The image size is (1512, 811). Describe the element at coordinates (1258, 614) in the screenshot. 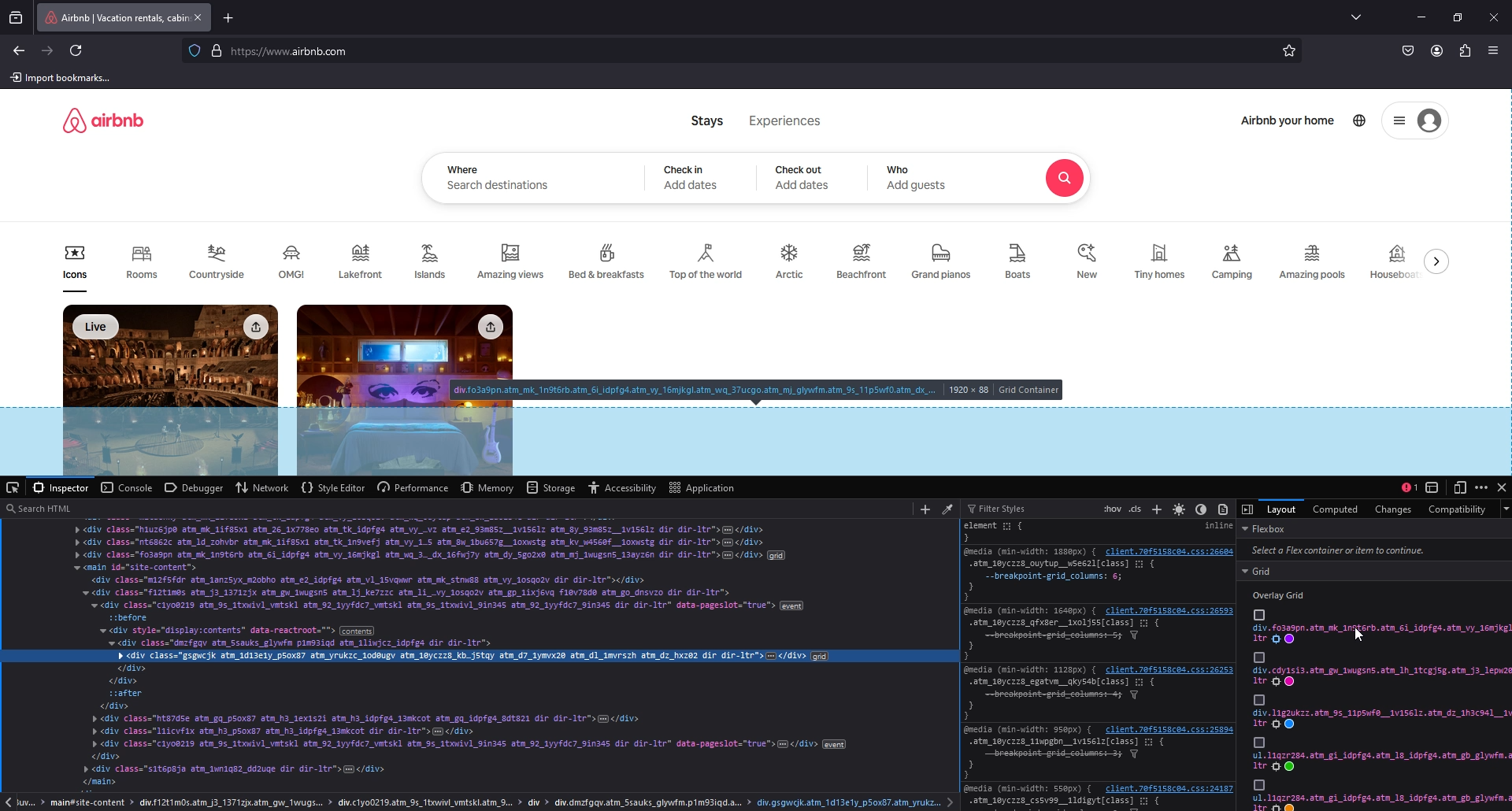

I see `Checkbox ` at that location.